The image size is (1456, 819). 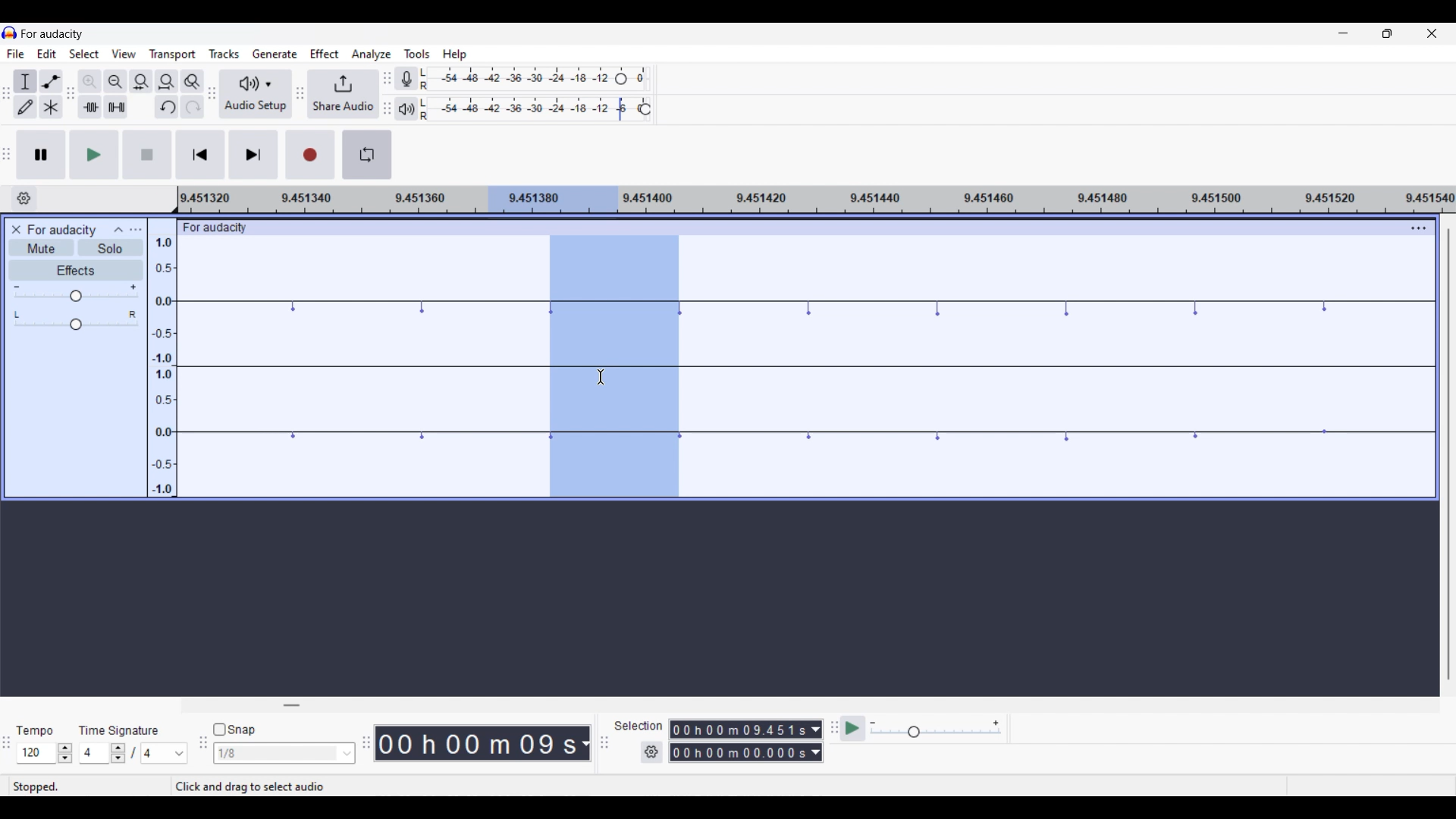 What do you see at coordinates (162, 358) in the screenshot?
I see `Scale to measure track intensity` at bounding box center [162, 358].